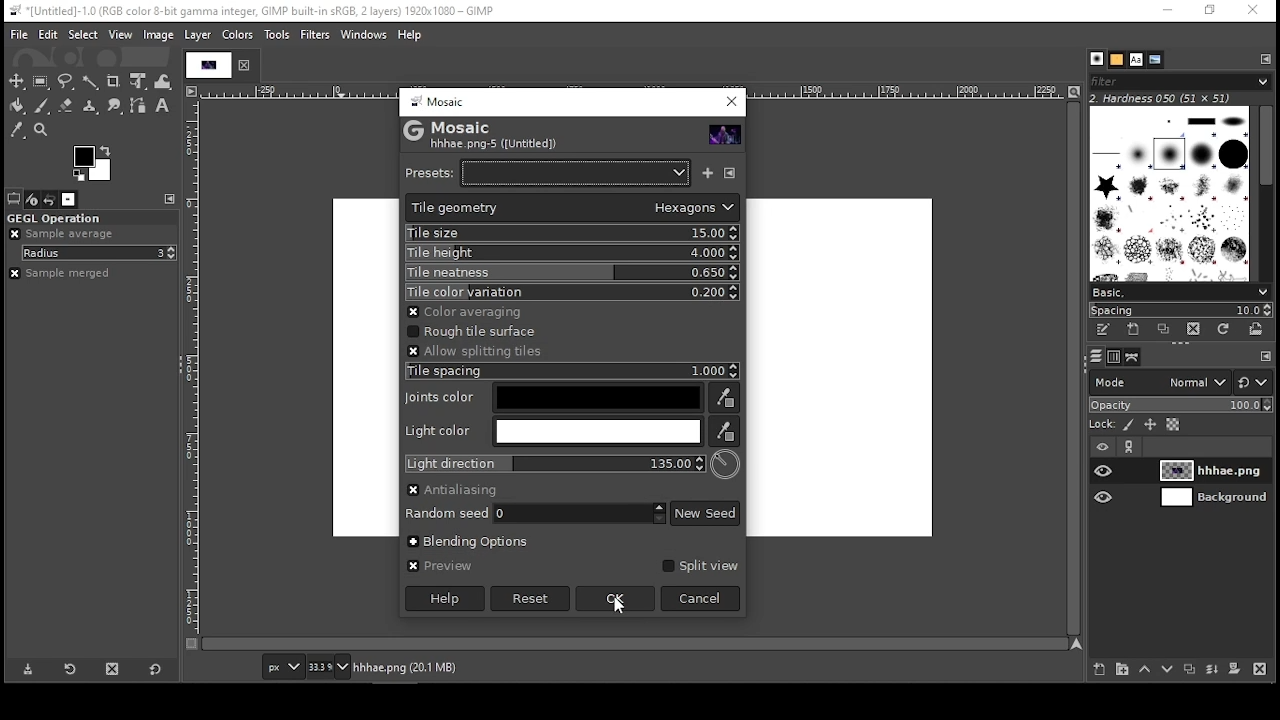  What do you see at coordinates (44, 106) in the screenshot?
I see `paint brush tool` at bounding box center [44, 106].